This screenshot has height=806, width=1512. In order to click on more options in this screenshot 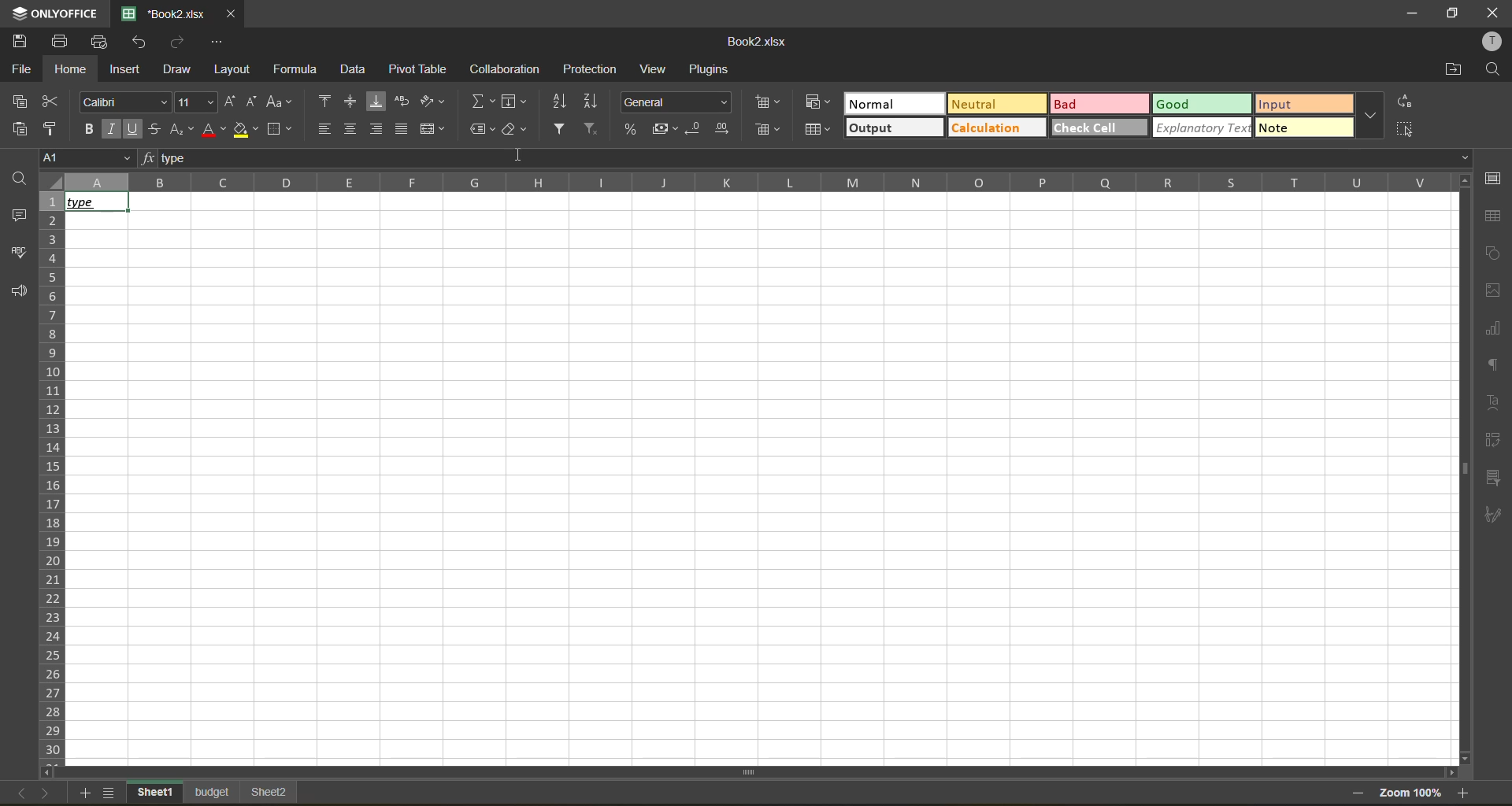, I will do `click(1373, 115)`.